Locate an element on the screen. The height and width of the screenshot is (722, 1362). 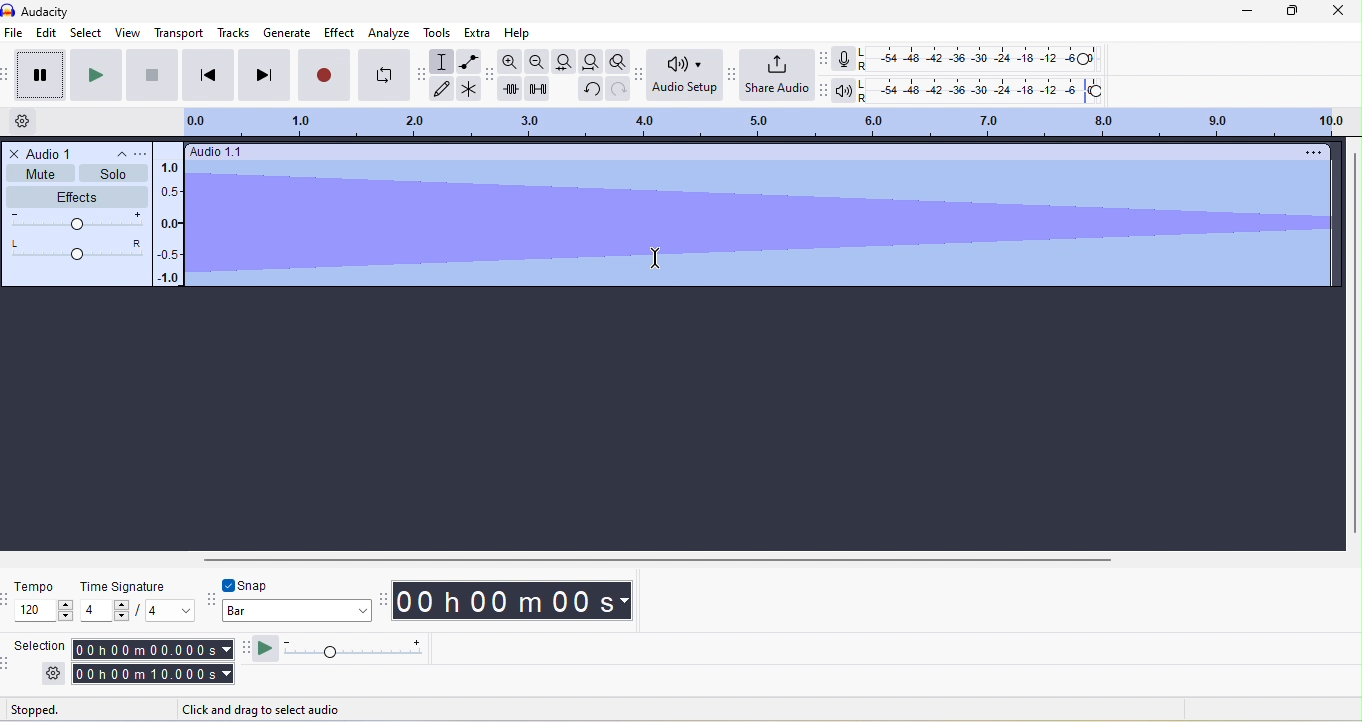
audacity edit toolbar is located at coordinates (491, 74).